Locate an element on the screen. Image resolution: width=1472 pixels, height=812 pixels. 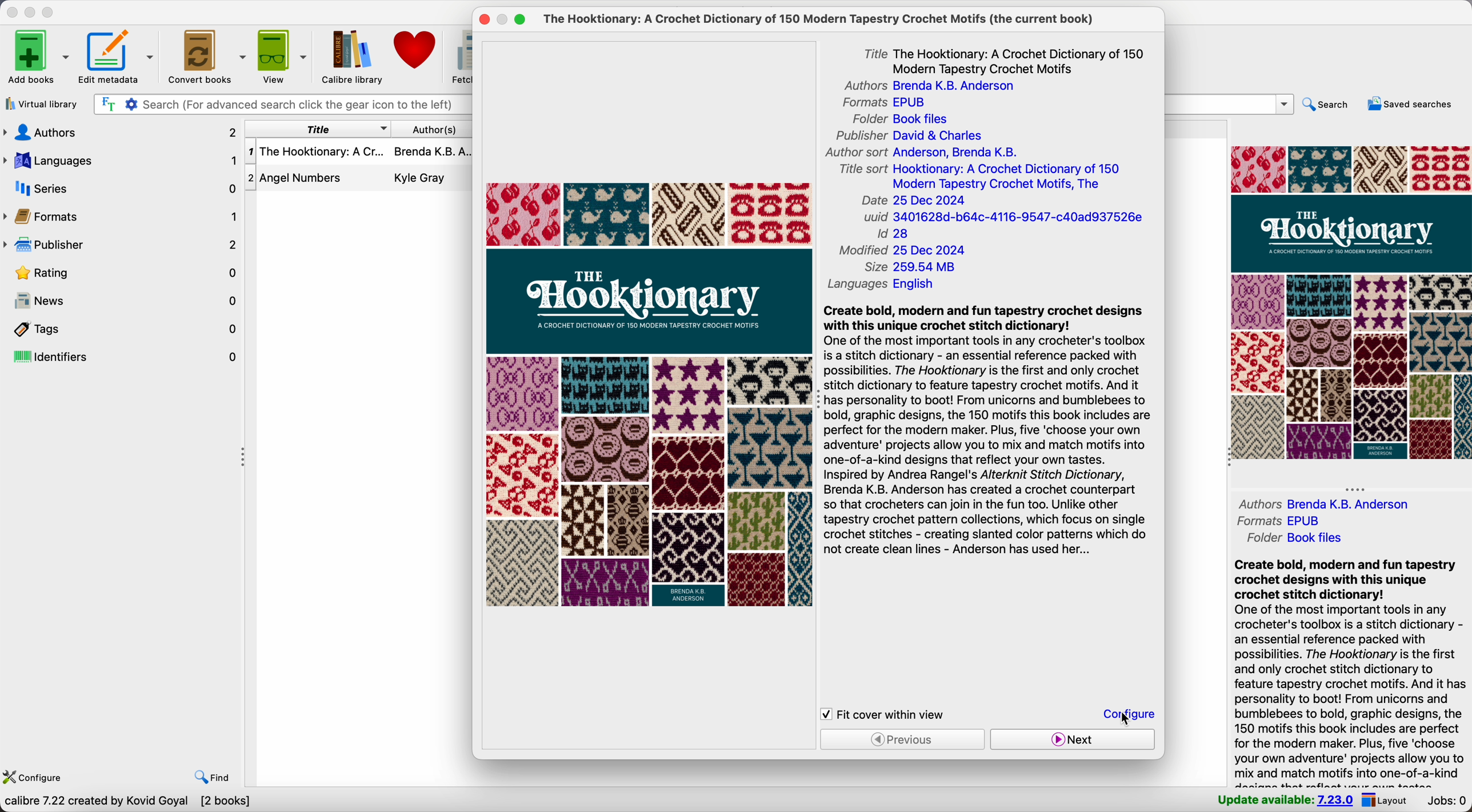
search bar is located at coordinates (1230, 104).